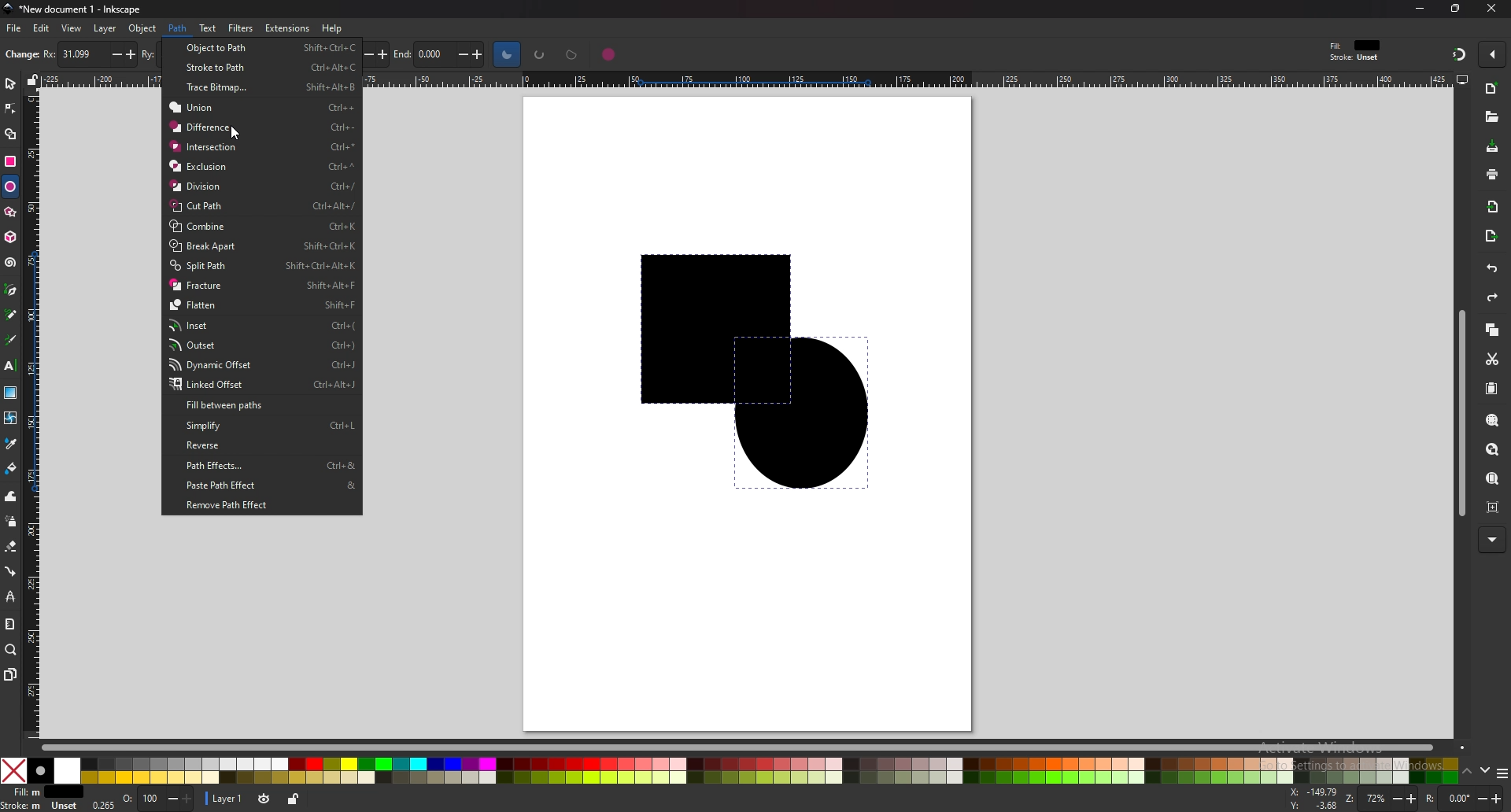 The width and height of the screenshot is (1511, 812). What do you see at coordinates (106, 29) in the screenshot?
I see `layer` at bounding box center [106, 29].